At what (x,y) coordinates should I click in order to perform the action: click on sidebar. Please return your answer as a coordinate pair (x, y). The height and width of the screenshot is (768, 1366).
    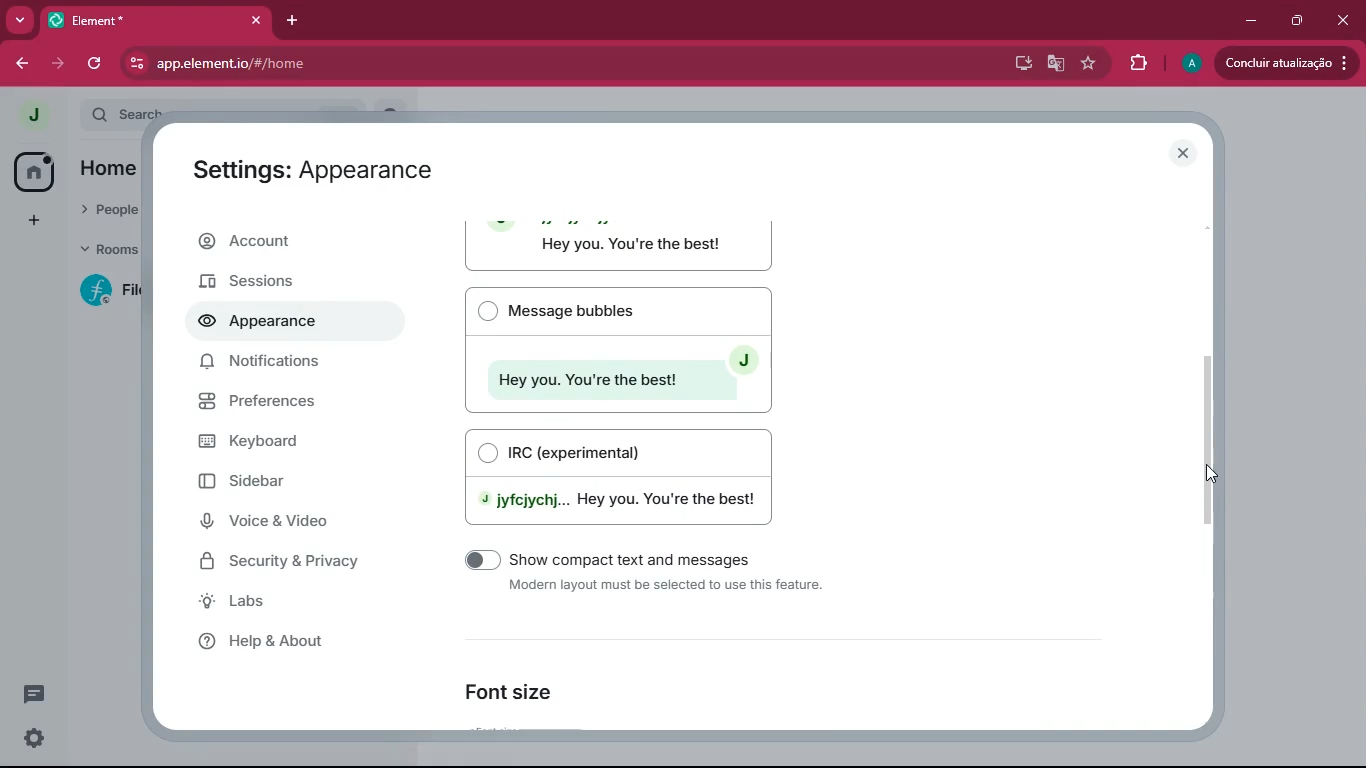
    Looking at the image, I should click on (298, 487).